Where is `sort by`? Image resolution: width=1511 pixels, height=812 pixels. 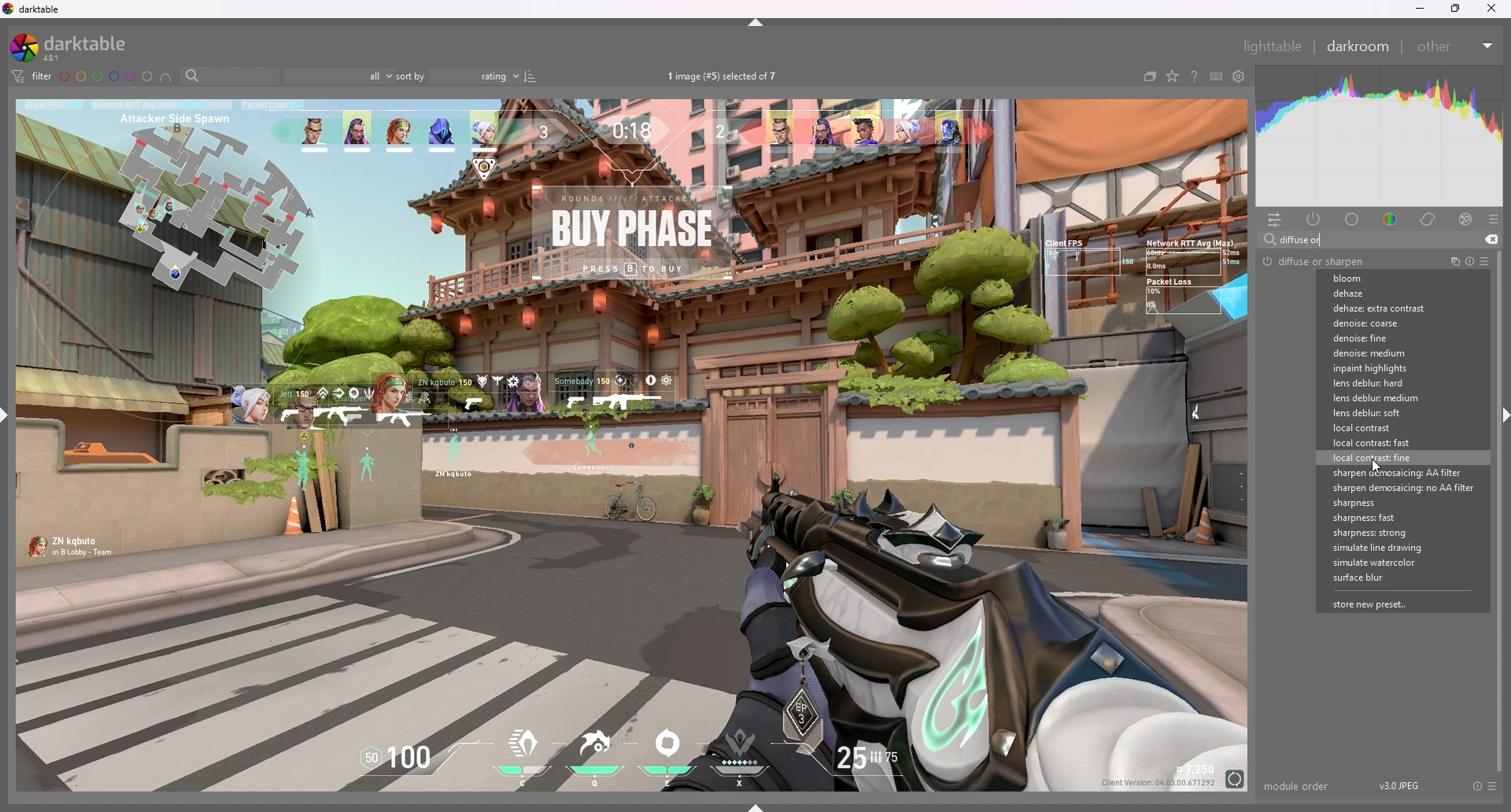
sort by is located at coordinates (458, 76).